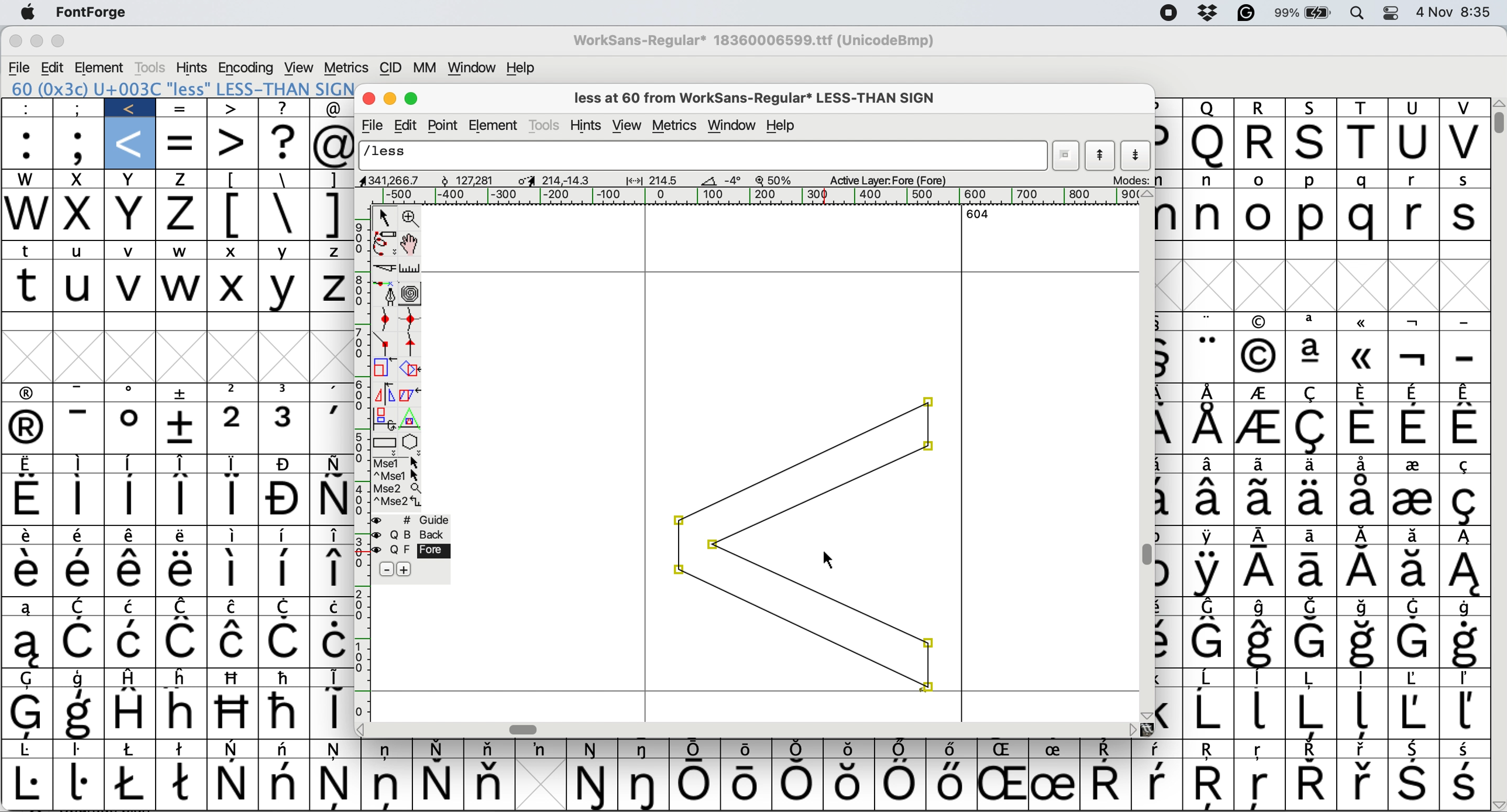  Describe the element at coordinates (328, 426) in the screenshot. I see `,` at that location.